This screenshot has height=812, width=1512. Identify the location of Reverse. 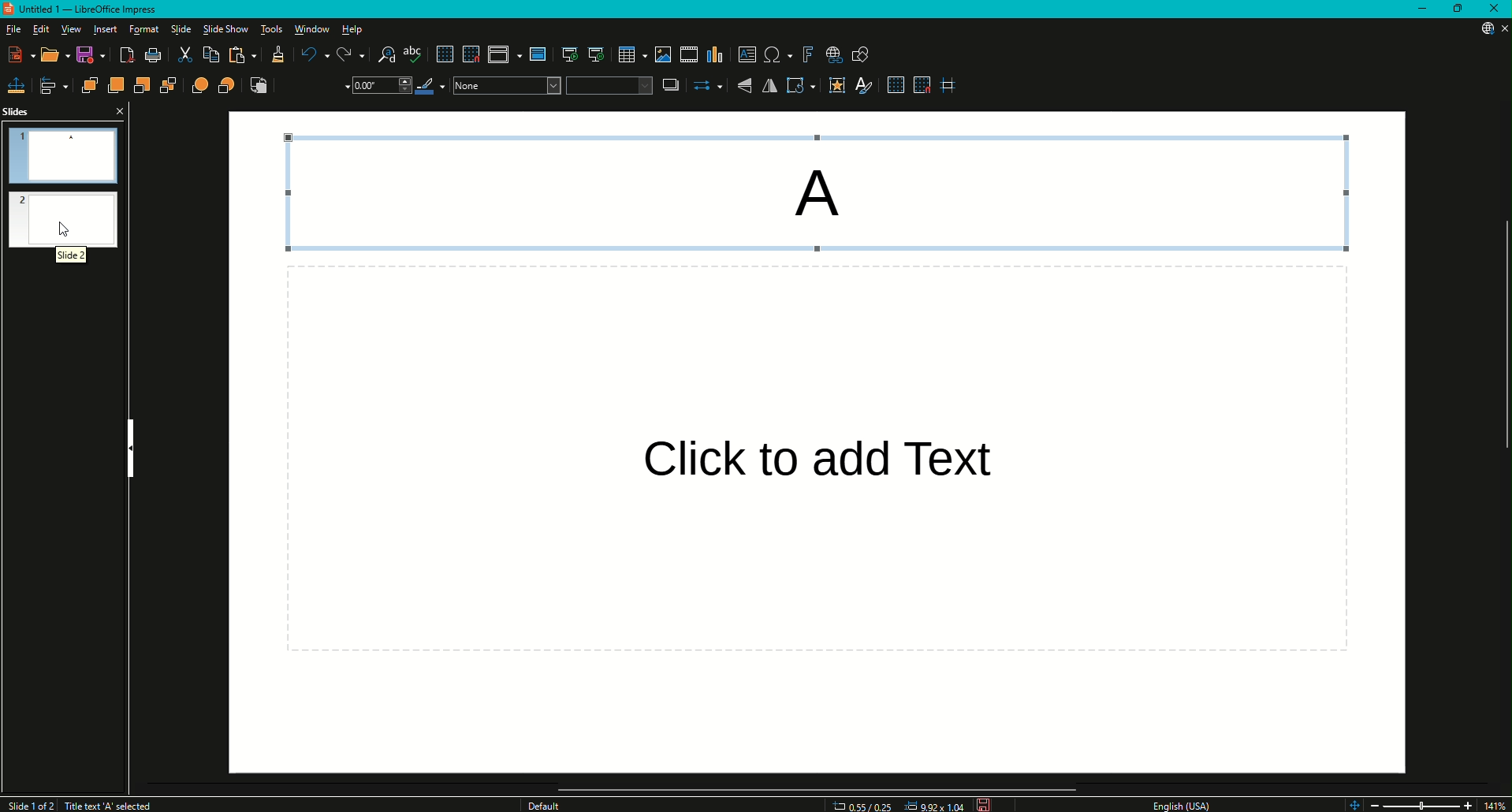
(257, 88).